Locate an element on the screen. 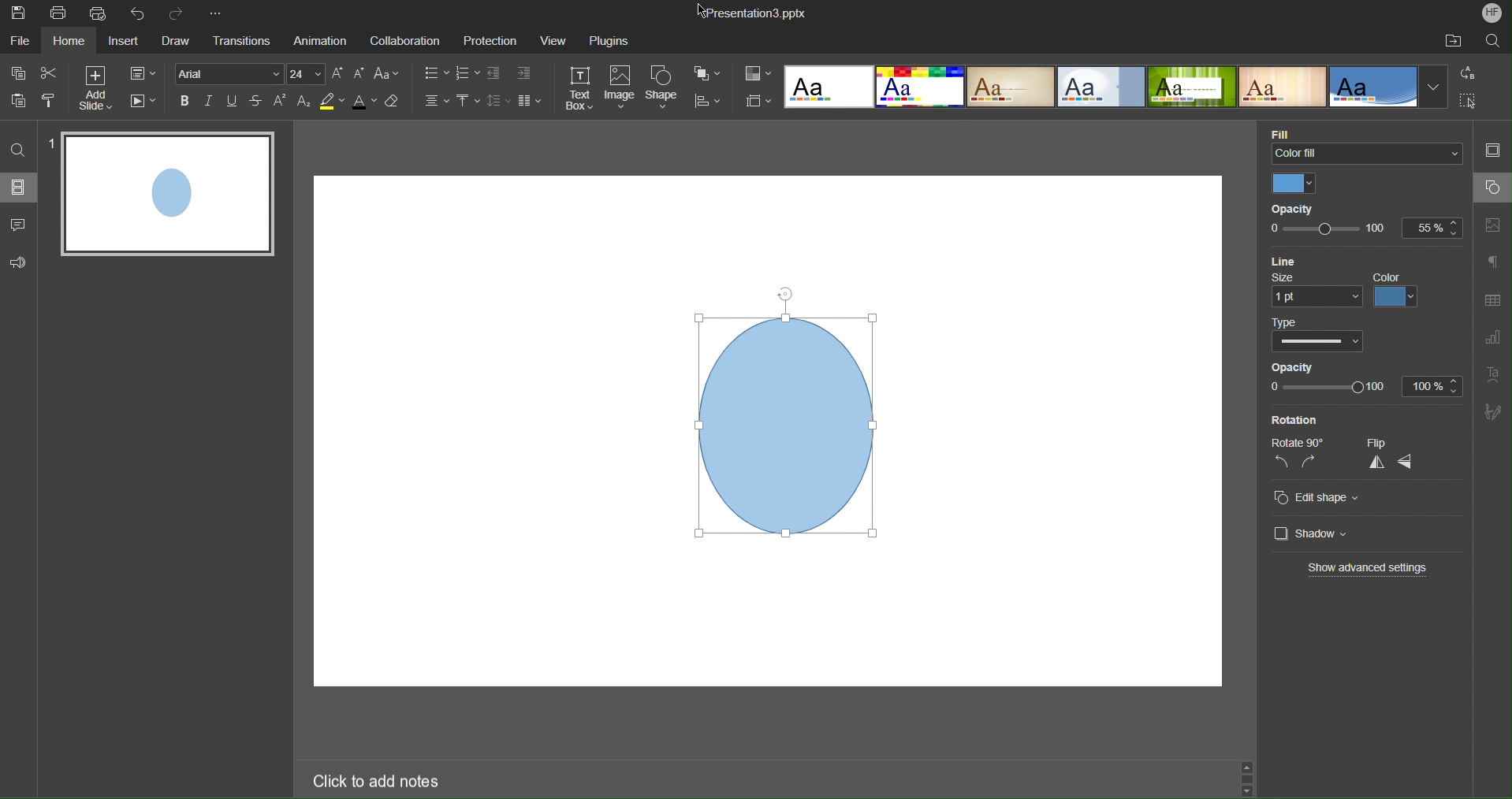  Select All is located at coordinates (1468, 101).